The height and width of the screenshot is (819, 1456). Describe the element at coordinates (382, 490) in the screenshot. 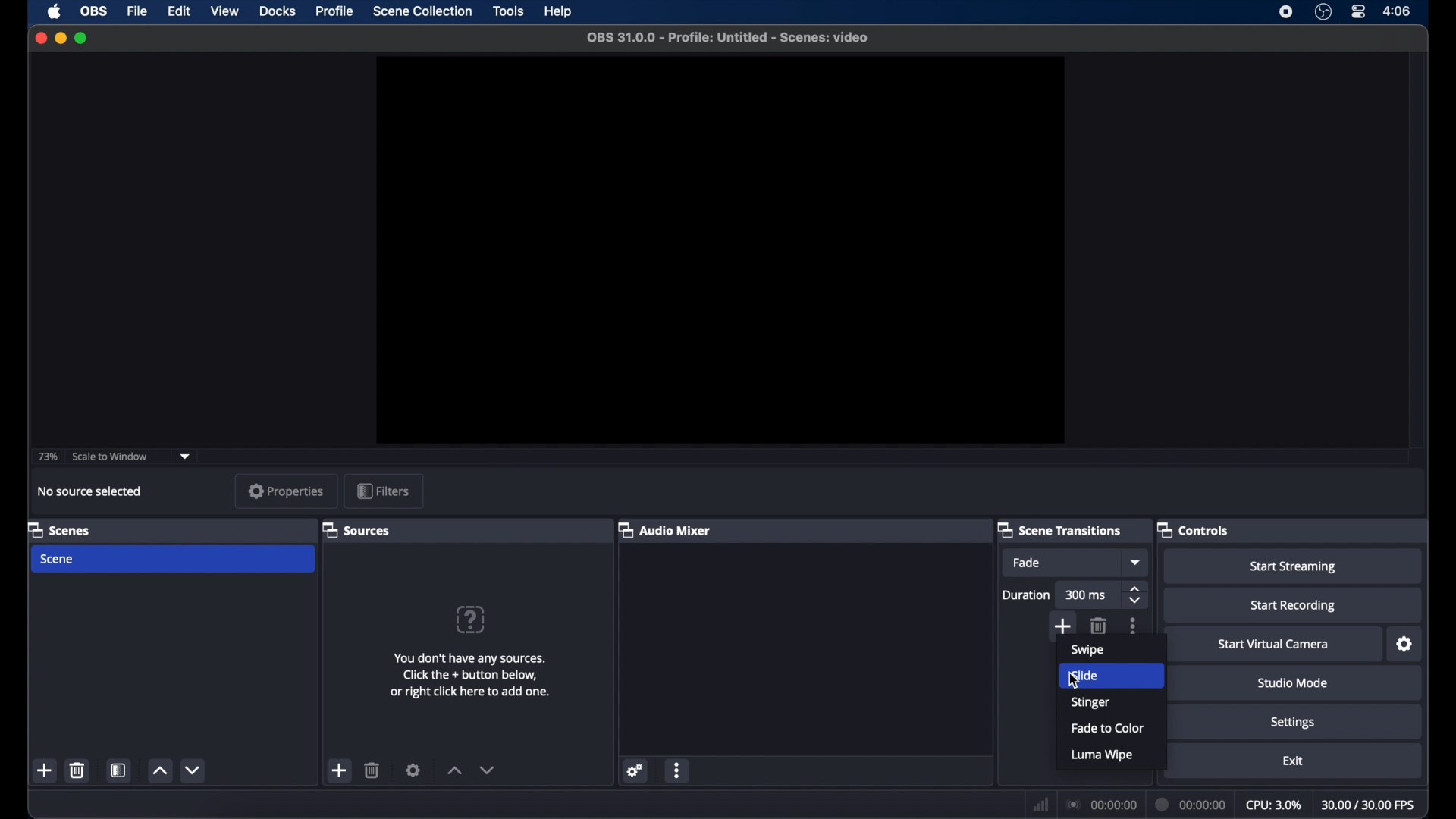

I see `filters` at that location.